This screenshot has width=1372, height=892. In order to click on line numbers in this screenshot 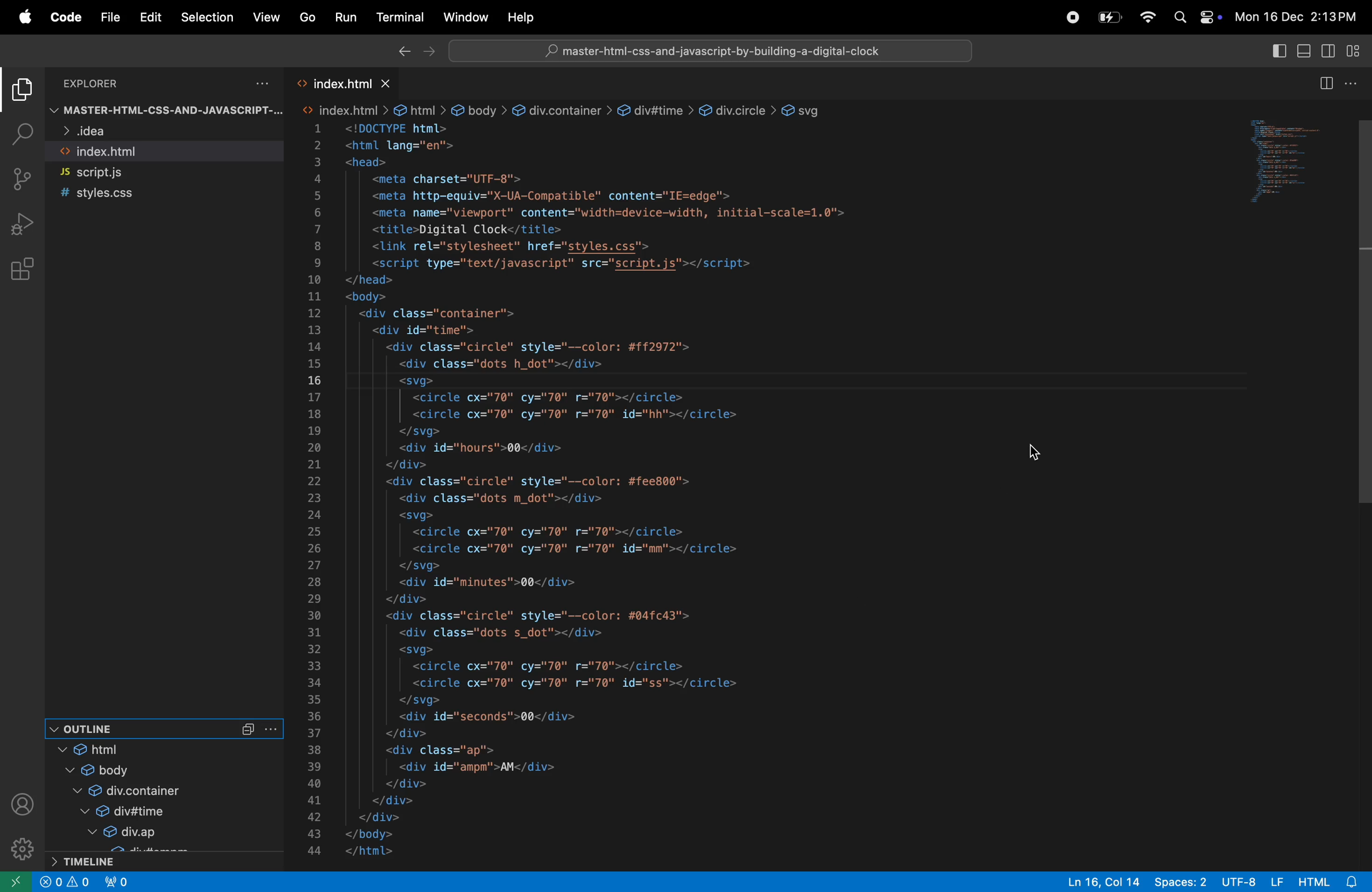, I will do `click(314, 492)`.